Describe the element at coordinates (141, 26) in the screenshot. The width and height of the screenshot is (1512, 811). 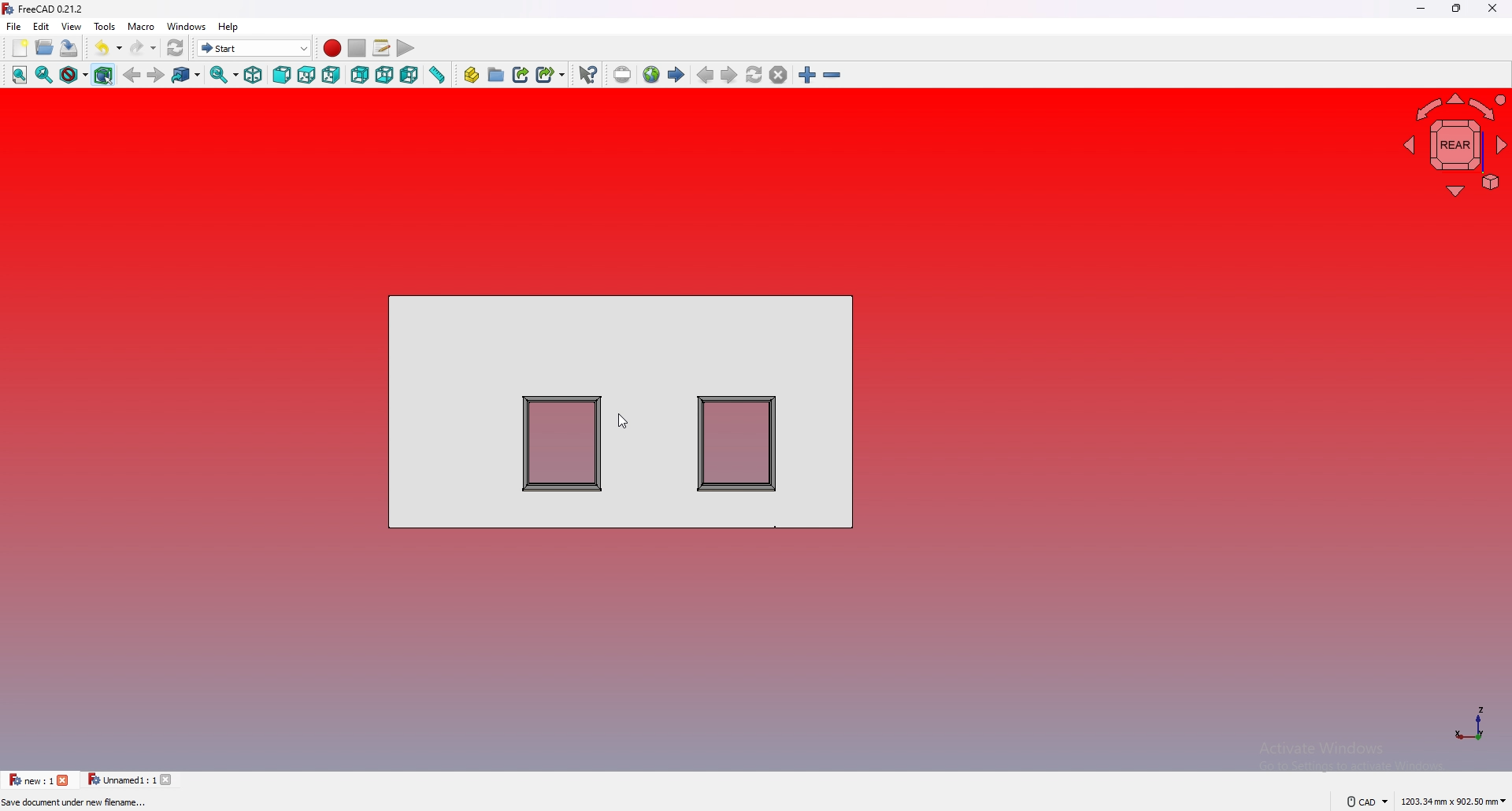
I see `macro` at that location.